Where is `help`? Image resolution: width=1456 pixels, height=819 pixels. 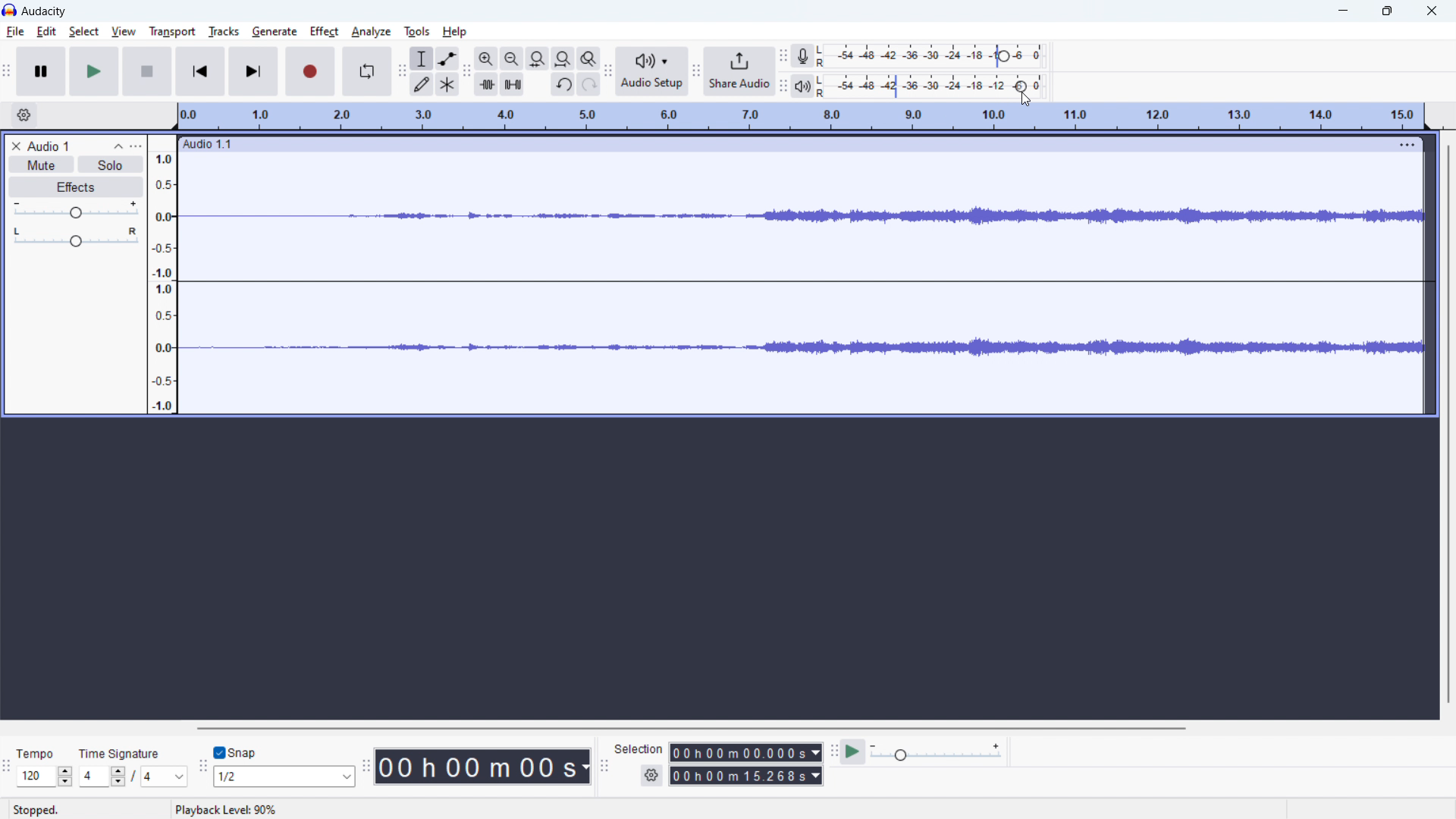 help is located at coordinates (454, 32).